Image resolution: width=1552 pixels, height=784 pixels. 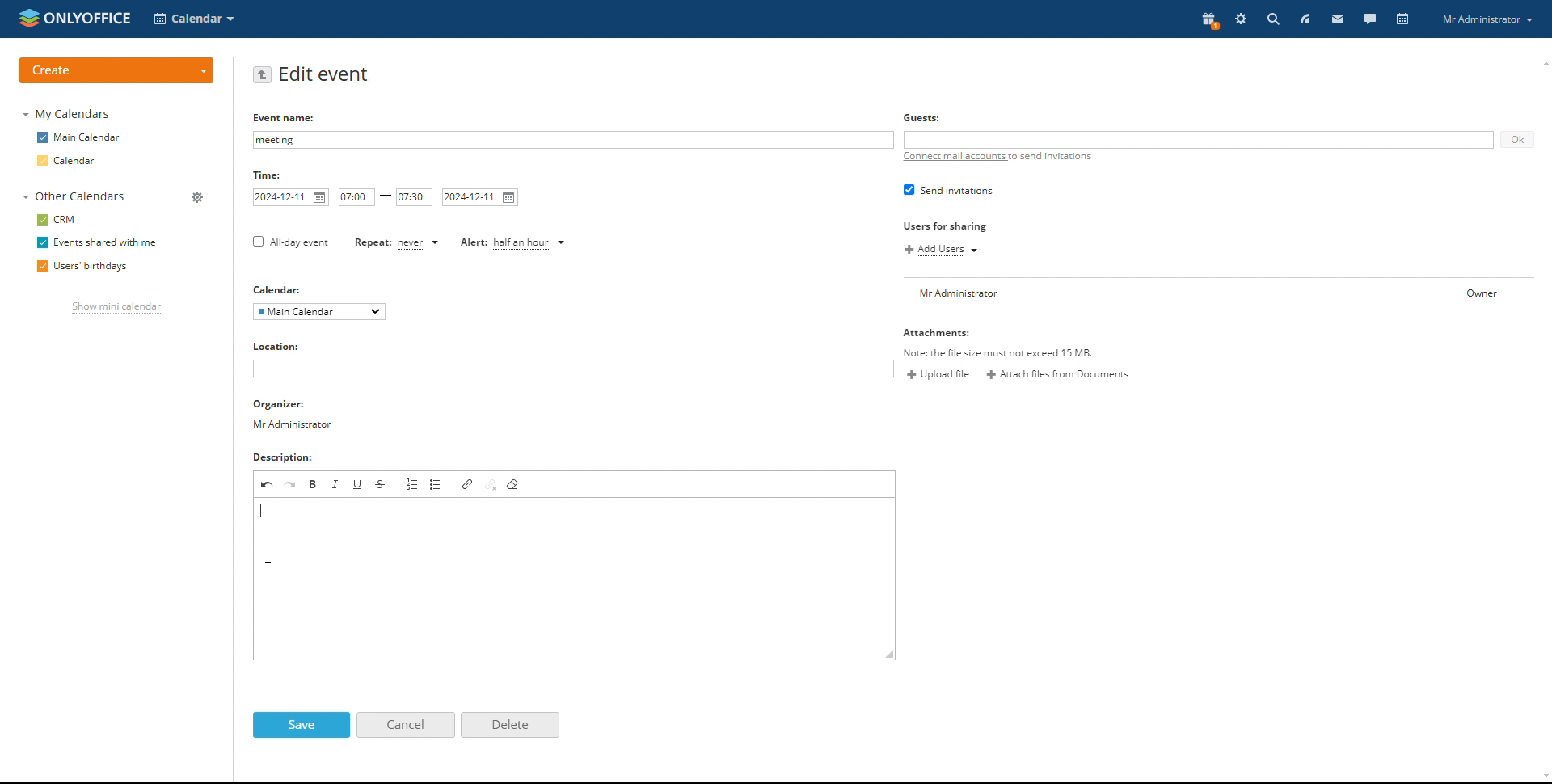 What do you see at coordinates (74, 196) in the screenshot?
I see `other calendars` at bounding box center [74, 196].